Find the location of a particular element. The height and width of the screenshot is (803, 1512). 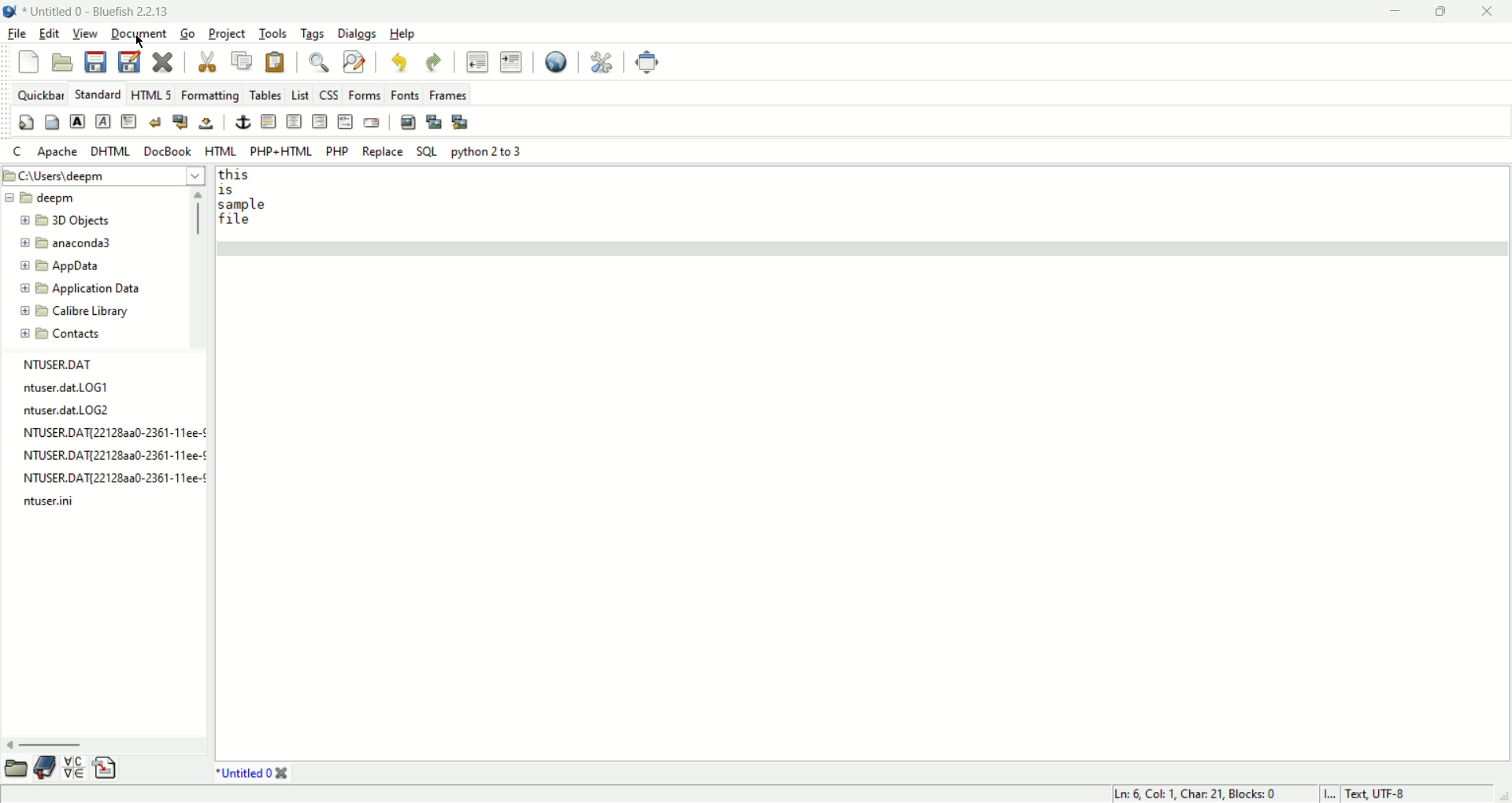

C is located at coordinates (17, 150).